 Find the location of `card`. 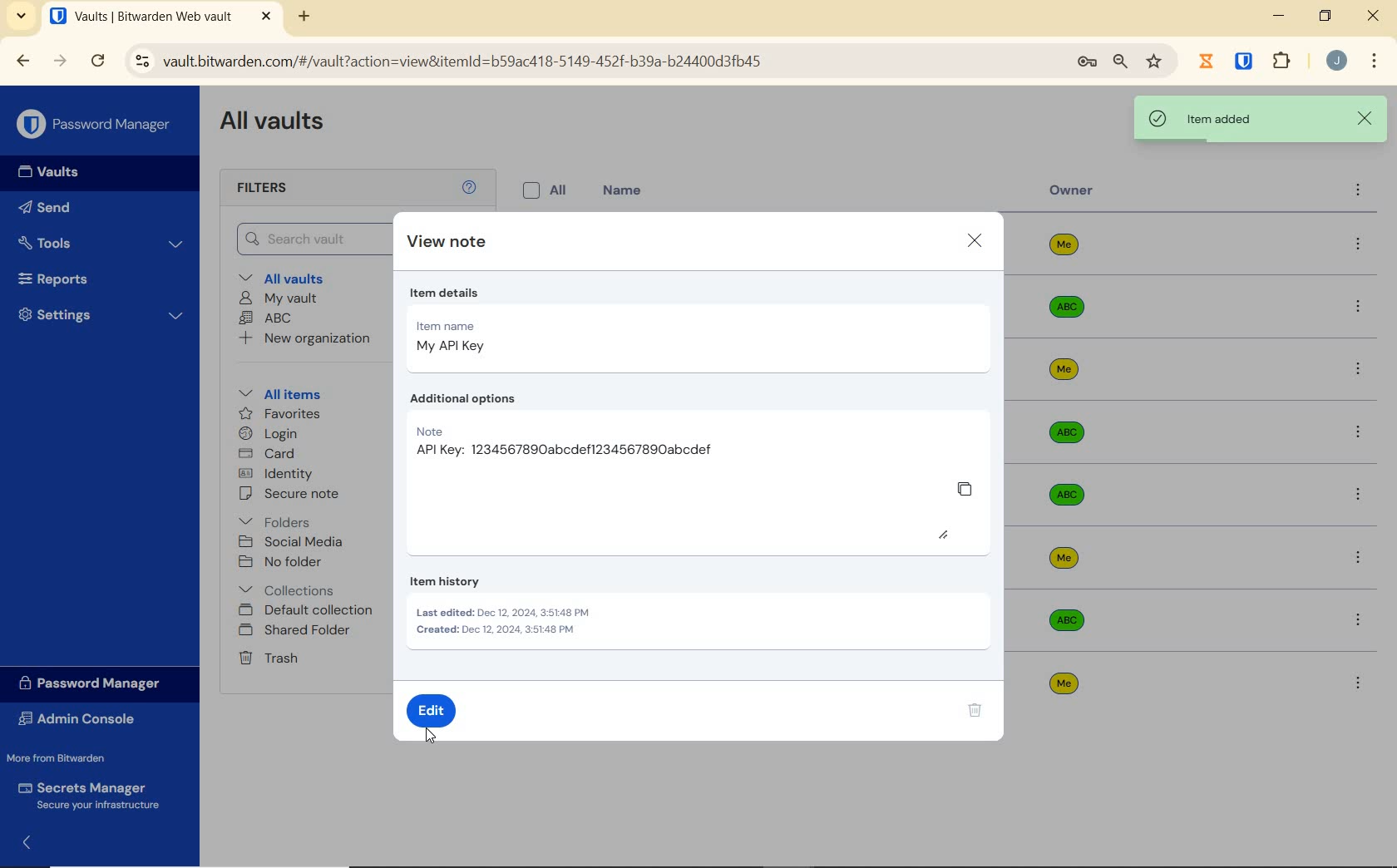

card is located at coordinates (269, 454).